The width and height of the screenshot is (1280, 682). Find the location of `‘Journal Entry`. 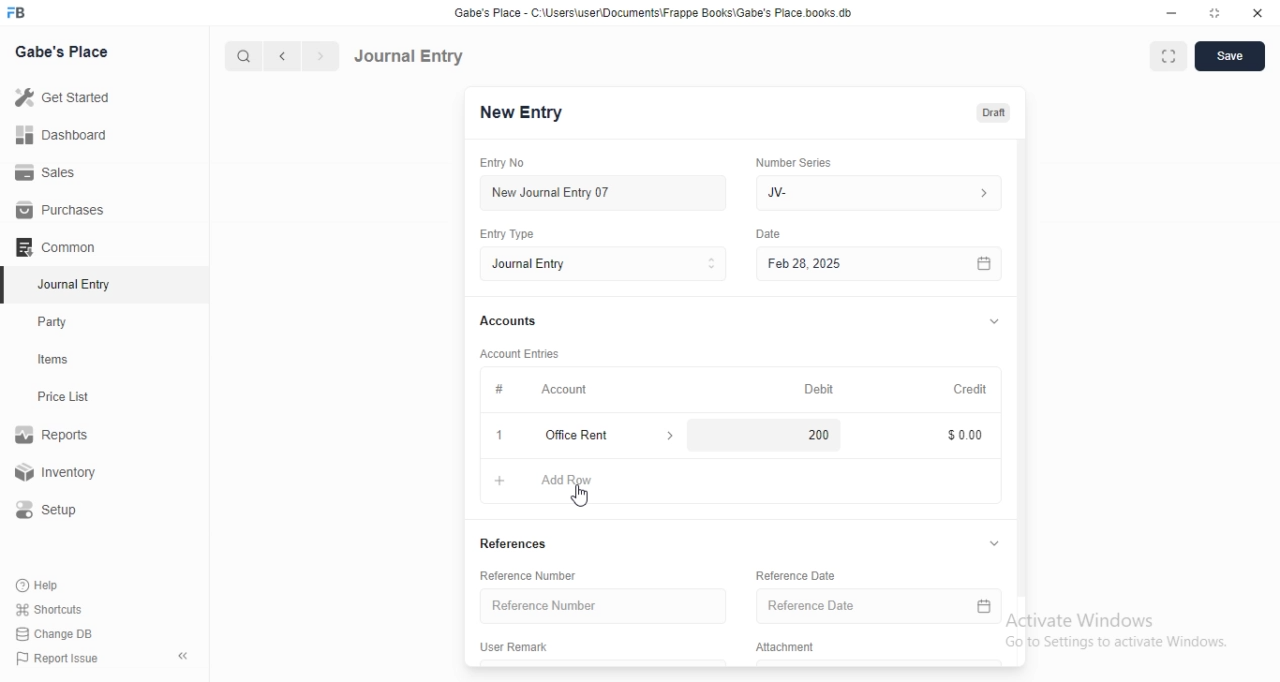

‘Journal Entry is located at coordinates (77, 284).